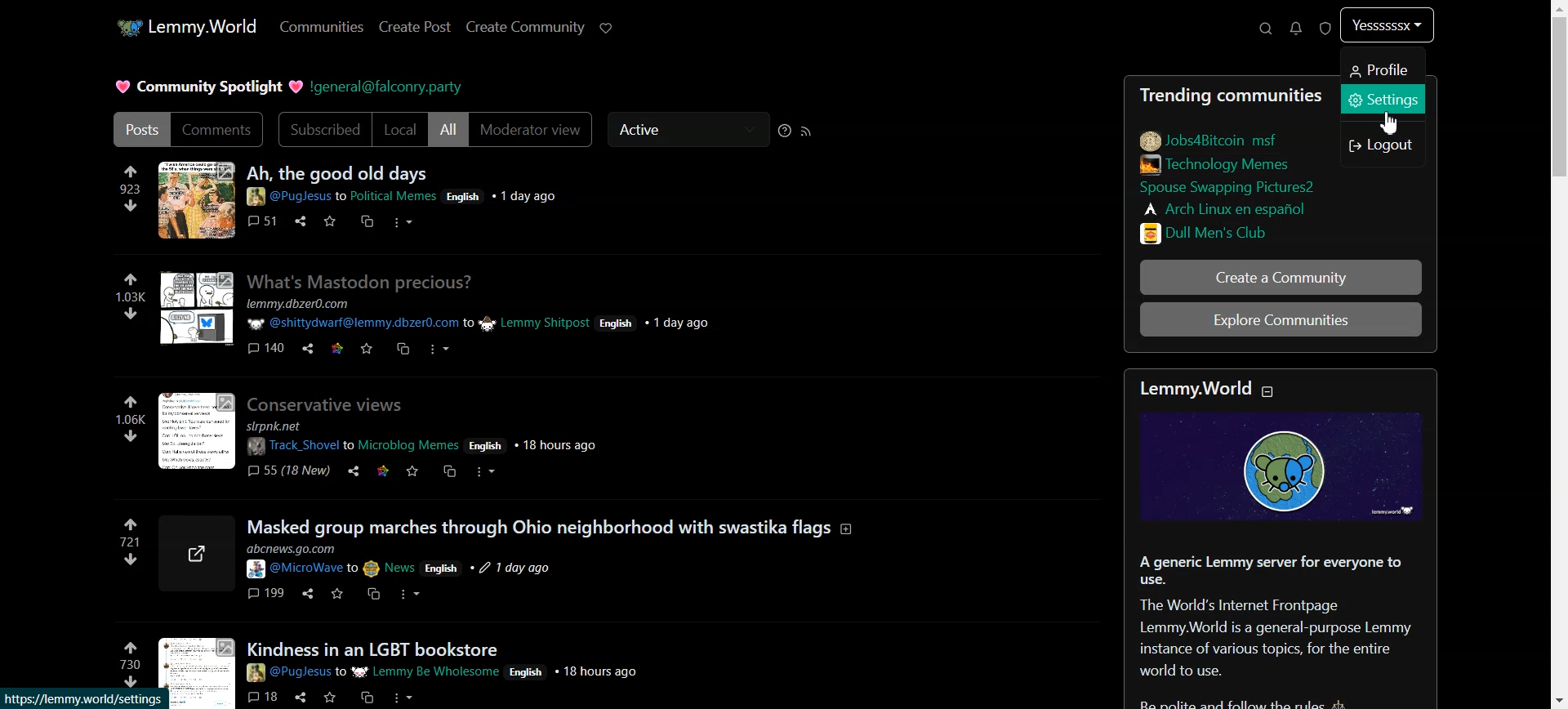 The height and width of the screenshot is (709, 1568). I want to click on link, so click(339, 347).